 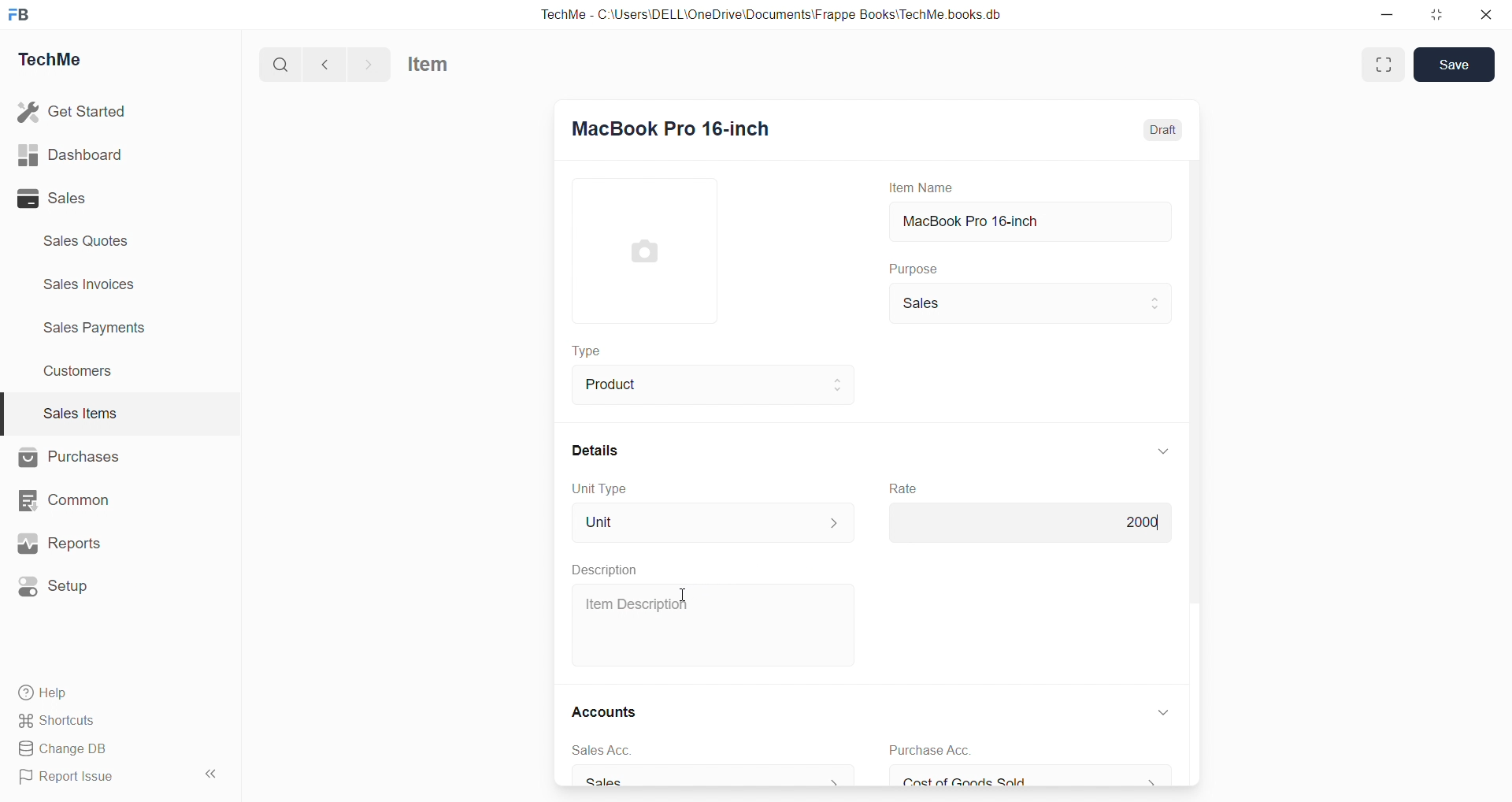 What do you see at coordinates (80, 373) in the screenshot?
I see `Customers` at bounding box center [80, 373].